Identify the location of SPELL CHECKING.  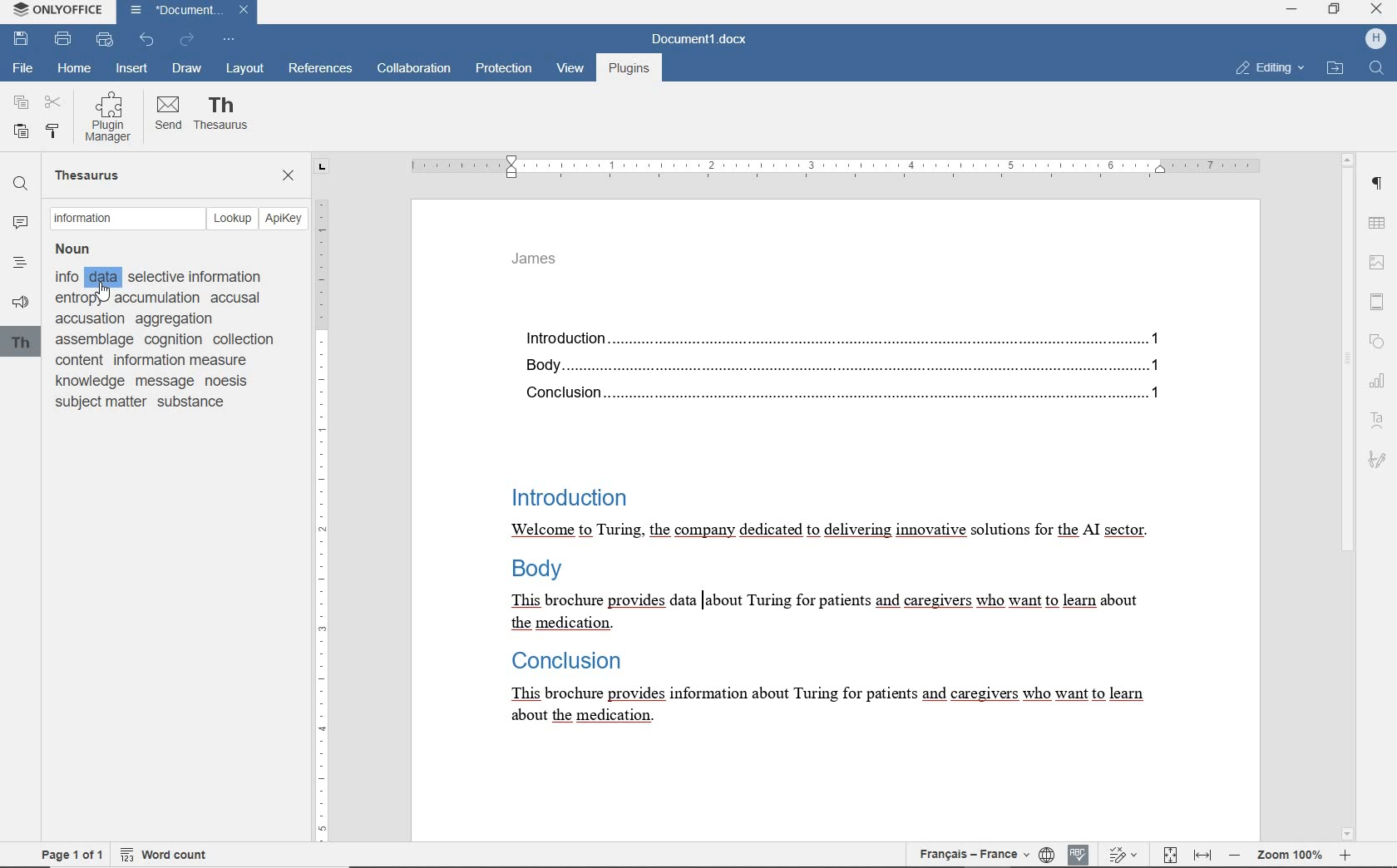
(1078, 855).